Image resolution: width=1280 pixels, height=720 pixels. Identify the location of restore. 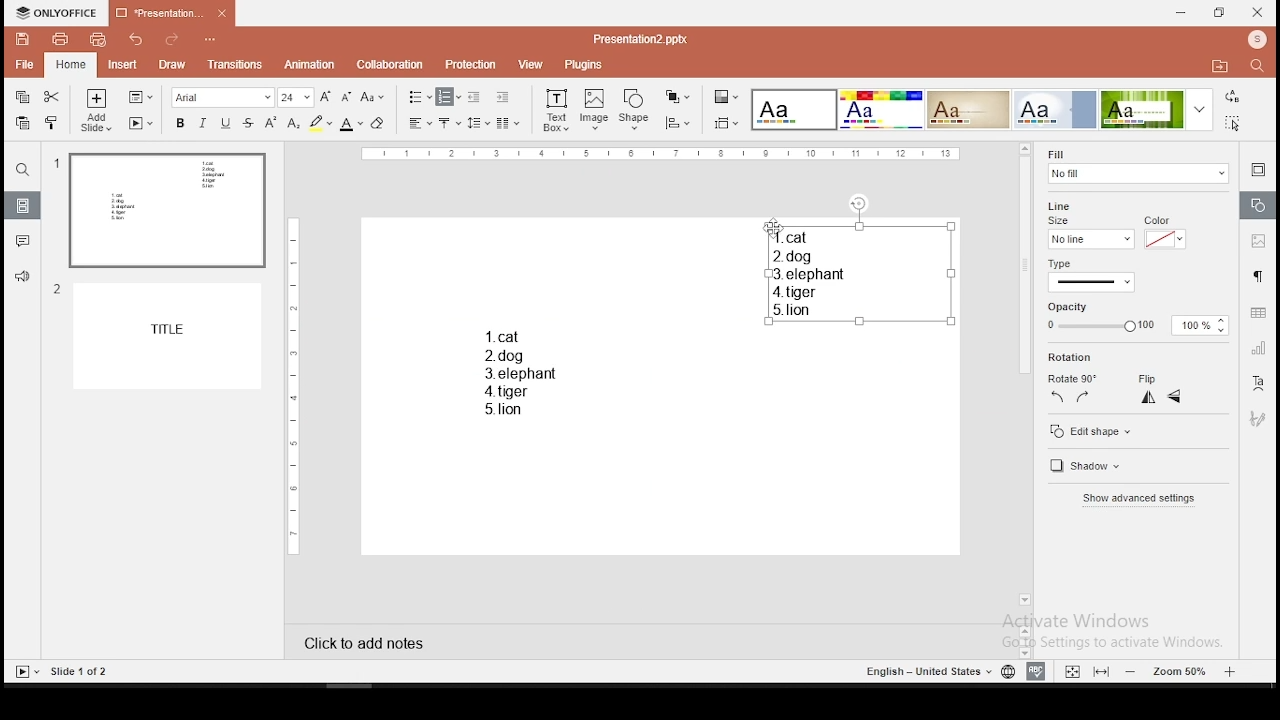
(1220, 13).